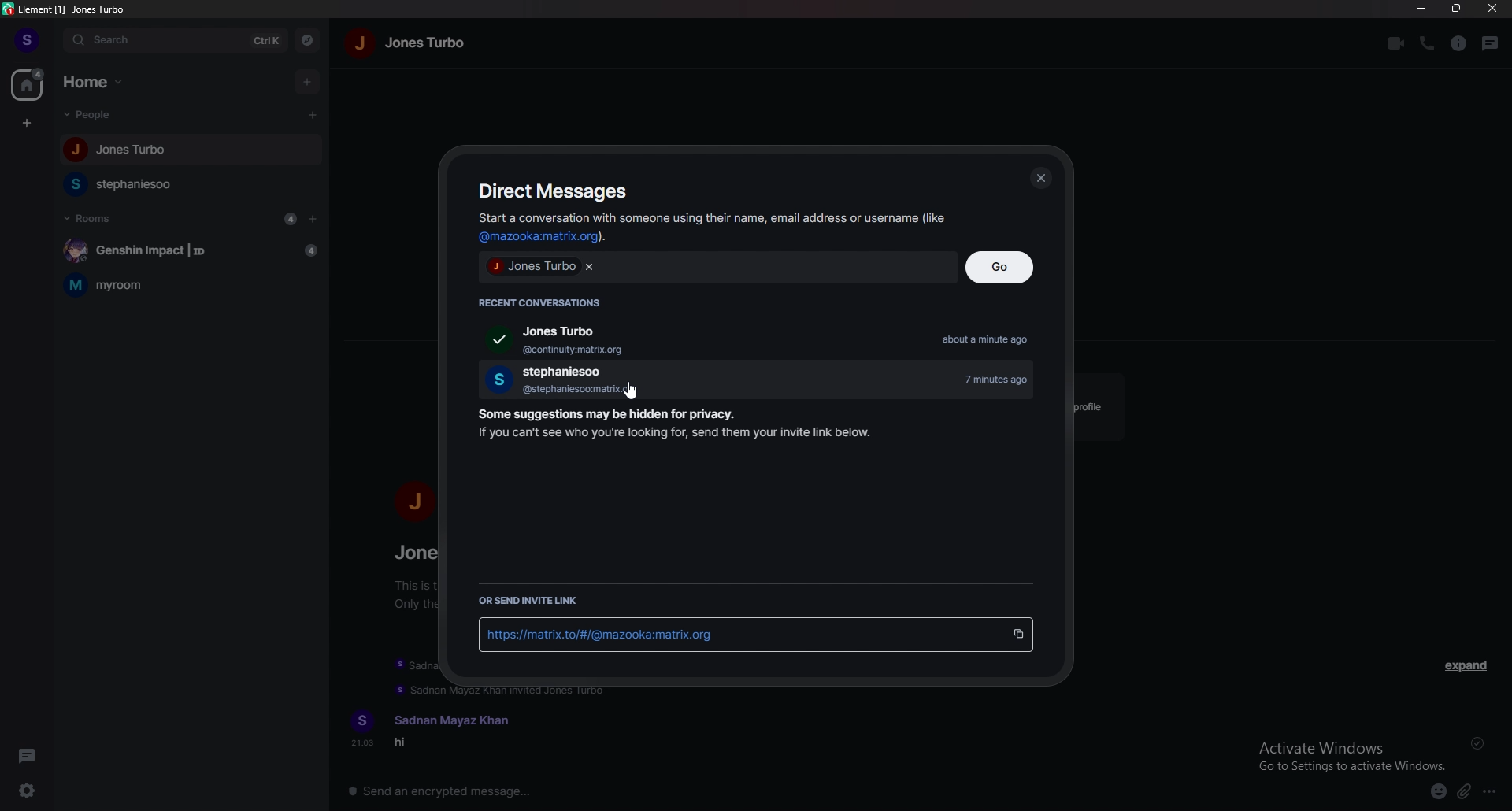 Image resolution: width=1512 pixels, height=811 pixels. Describe the element at coordinates (589, 266) in the screenshot. I see `remove` at that location.